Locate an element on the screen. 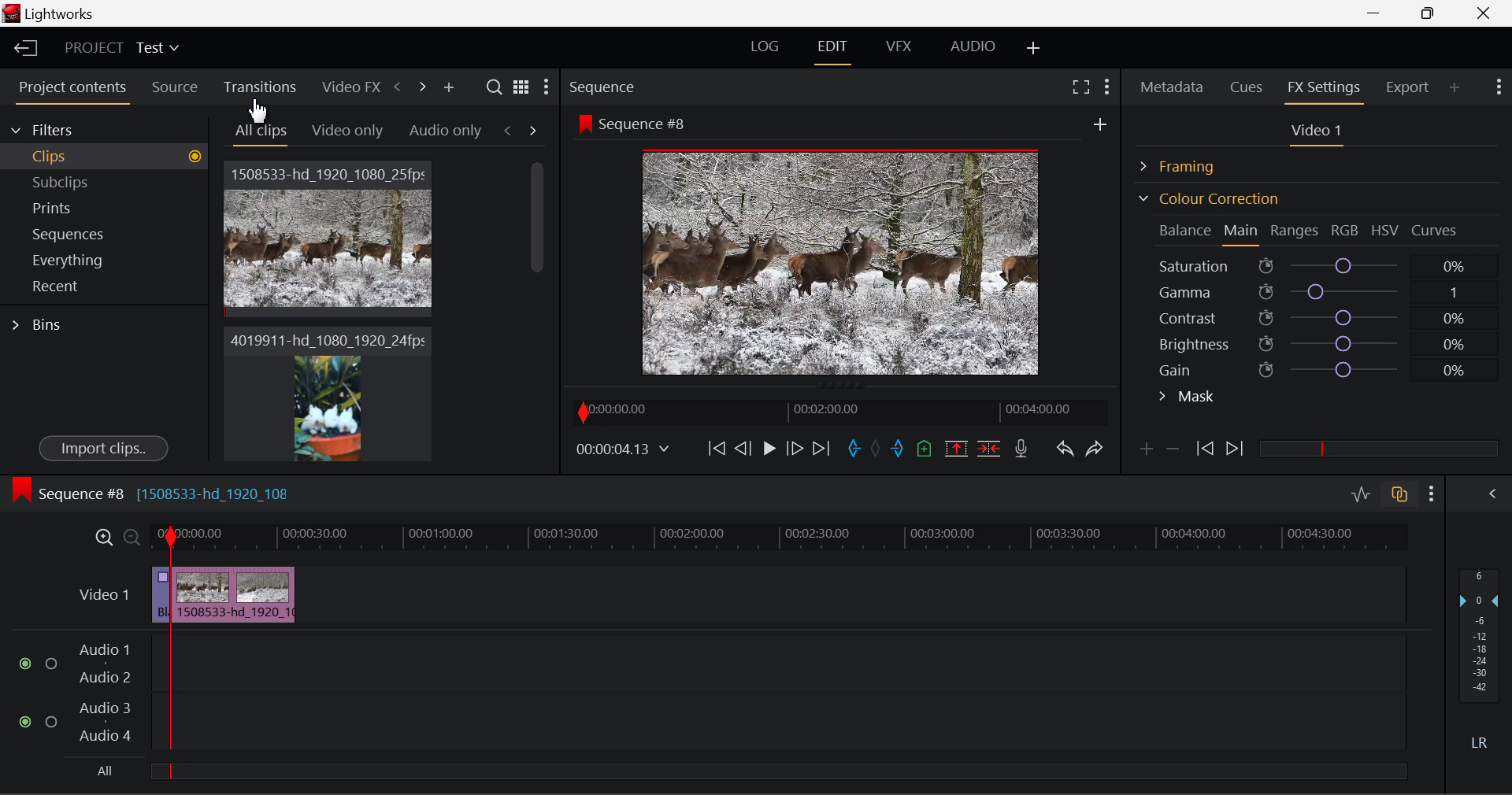 The height and width of the screenshot is (795, 1512). Yesterday Tab is located at coordinates (340, 131).